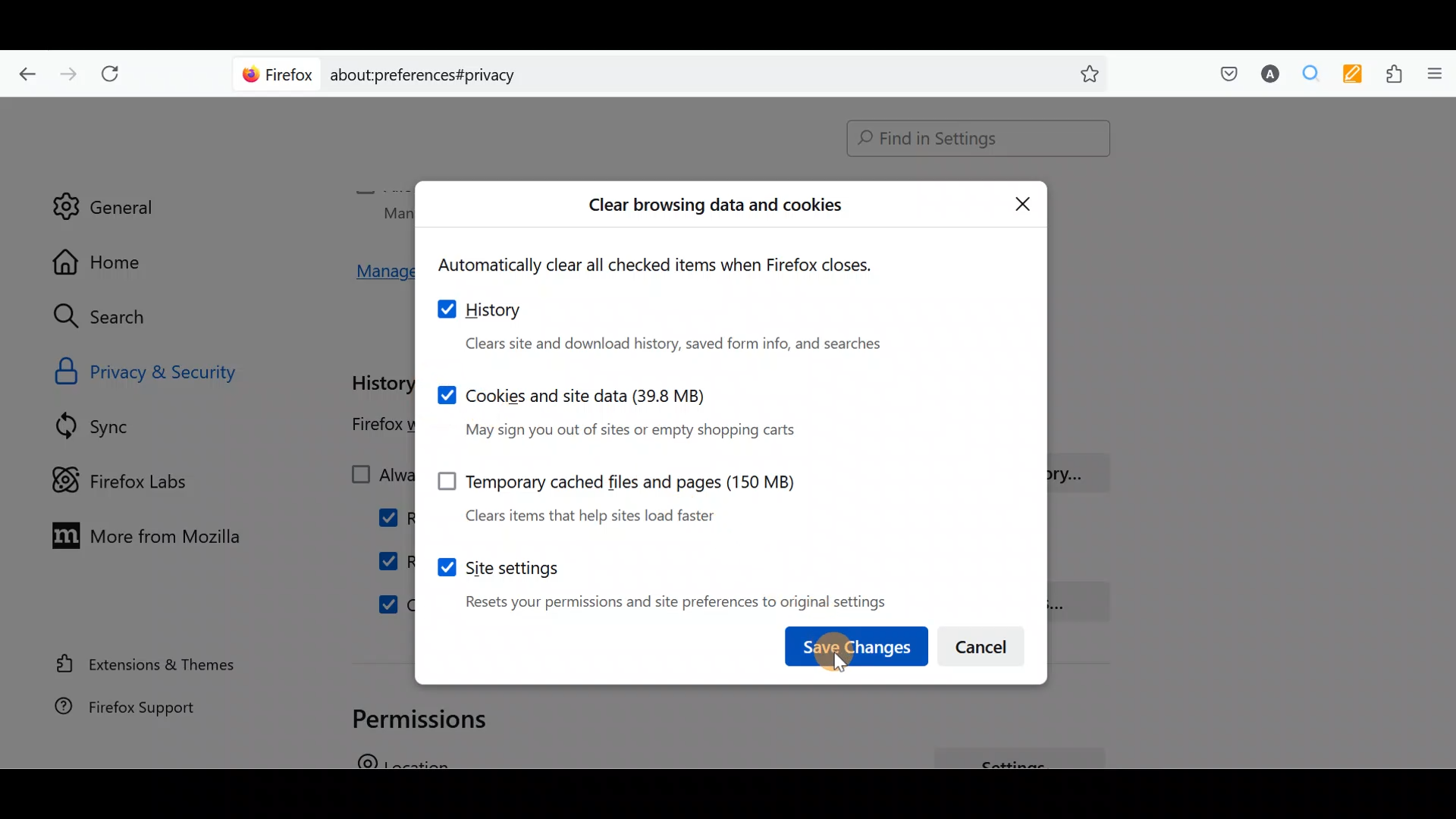  What do you see at coordinates (1390, 74) in the screenshot?
I see `Extensions` at bounding box center [1390, 74].